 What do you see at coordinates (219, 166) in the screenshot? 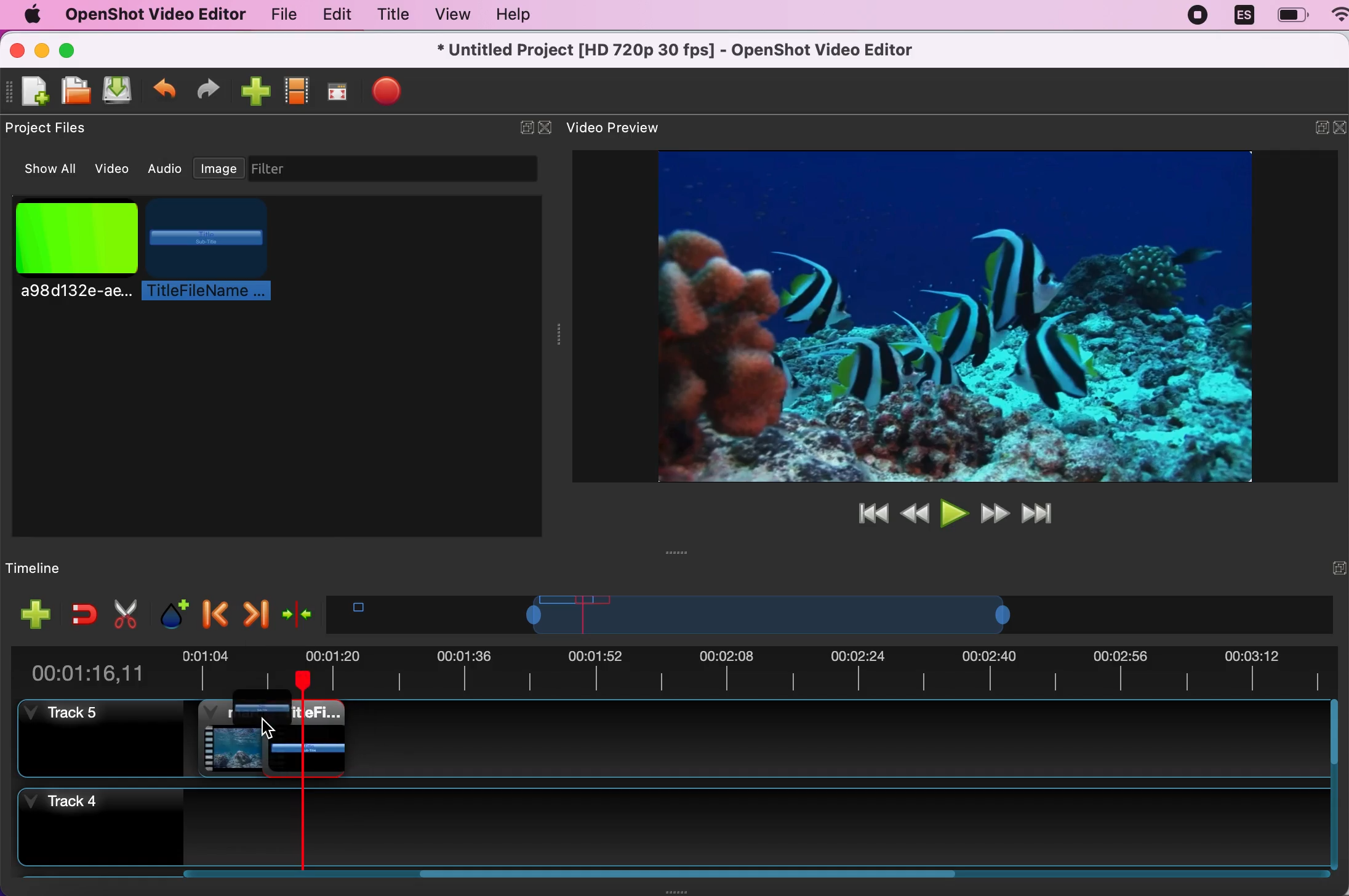
I see `image` at bounding box center [219, 166].